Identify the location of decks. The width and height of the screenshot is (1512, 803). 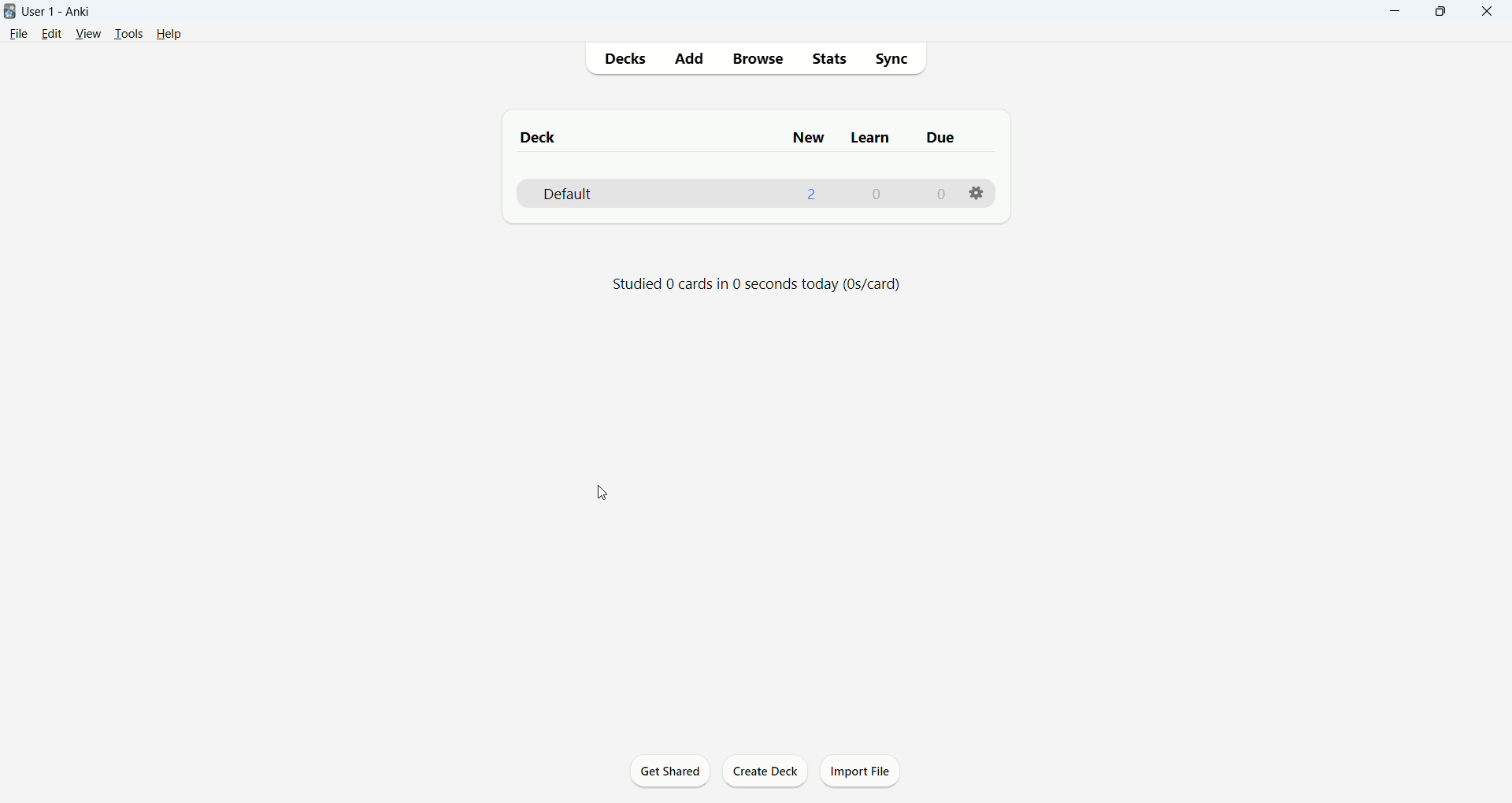
(630, 60).